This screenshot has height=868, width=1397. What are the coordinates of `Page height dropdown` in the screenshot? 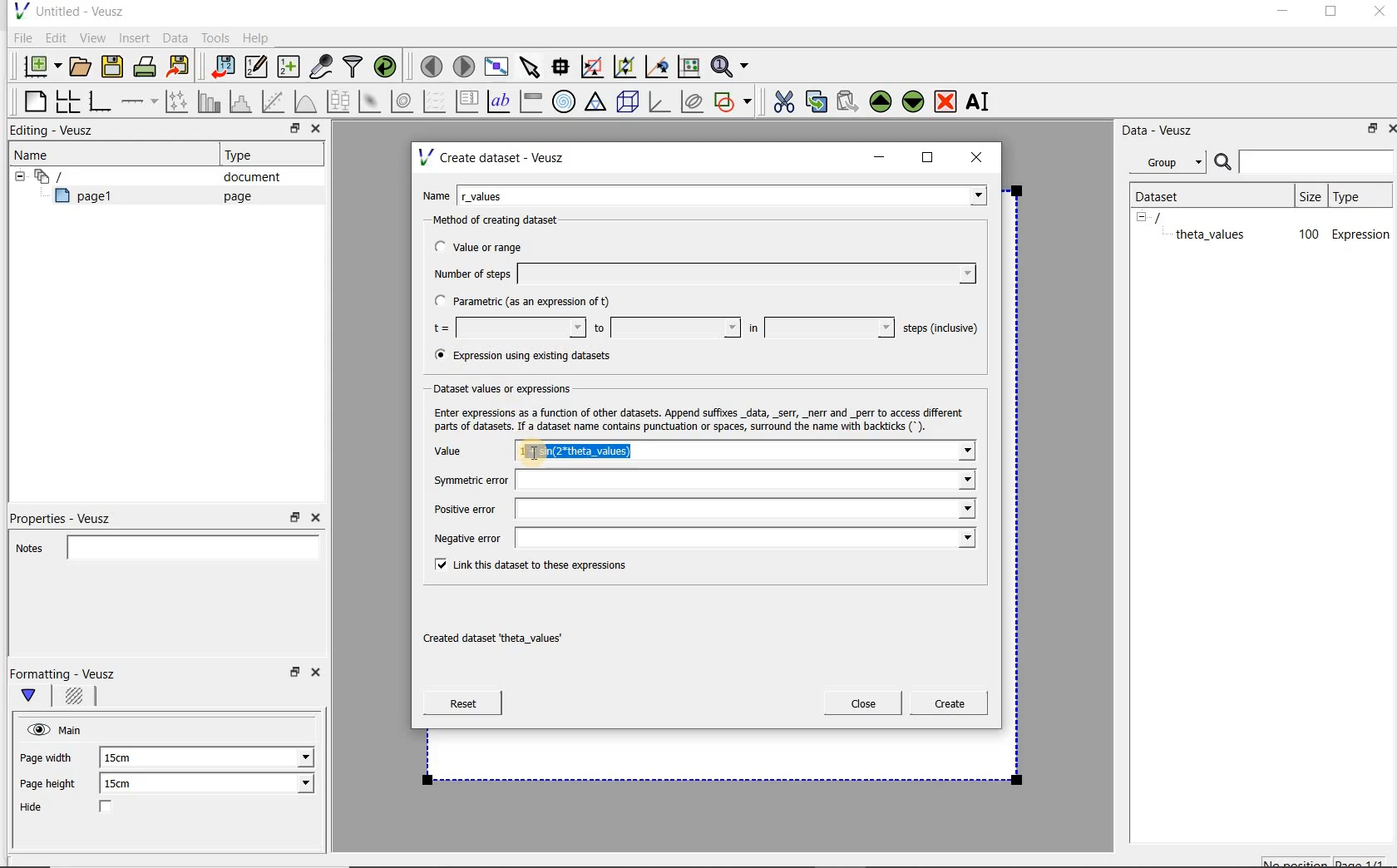 It's located at (294, 785).